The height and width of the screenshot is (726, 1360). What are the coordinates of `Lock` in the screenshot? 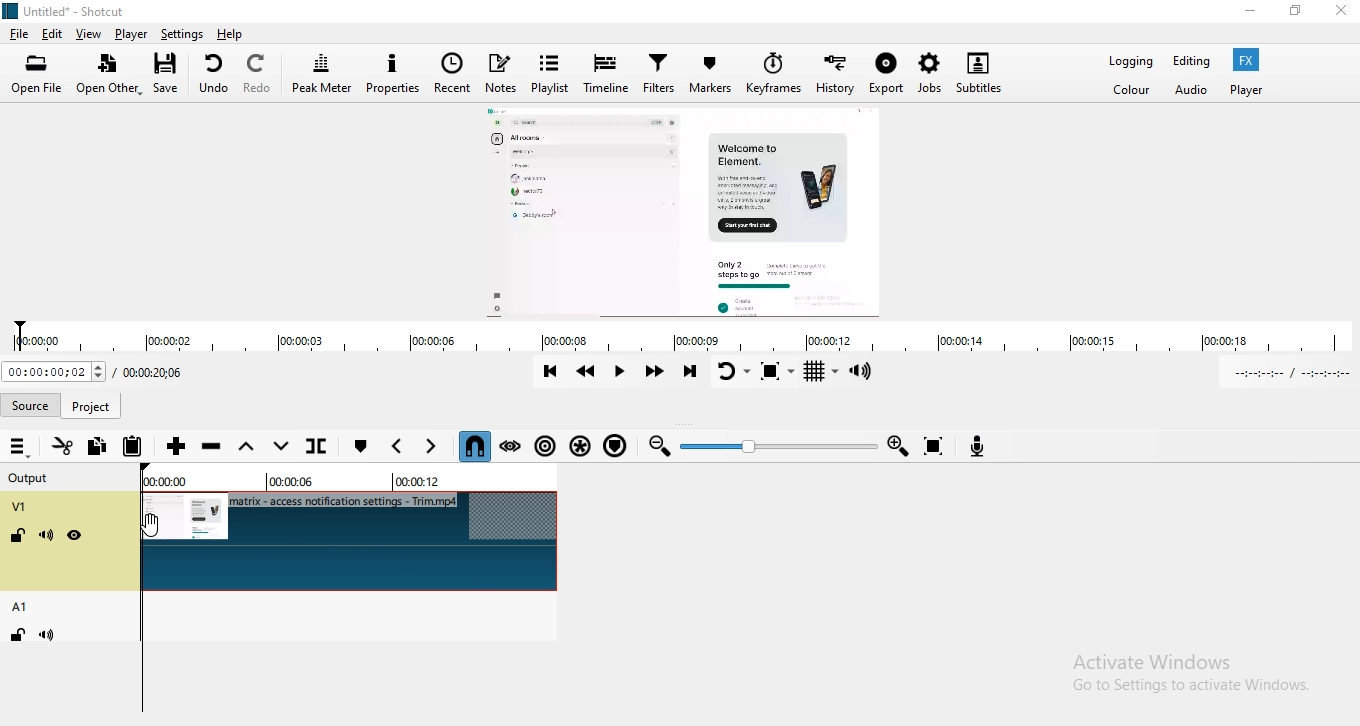 It's located at (18, 534).